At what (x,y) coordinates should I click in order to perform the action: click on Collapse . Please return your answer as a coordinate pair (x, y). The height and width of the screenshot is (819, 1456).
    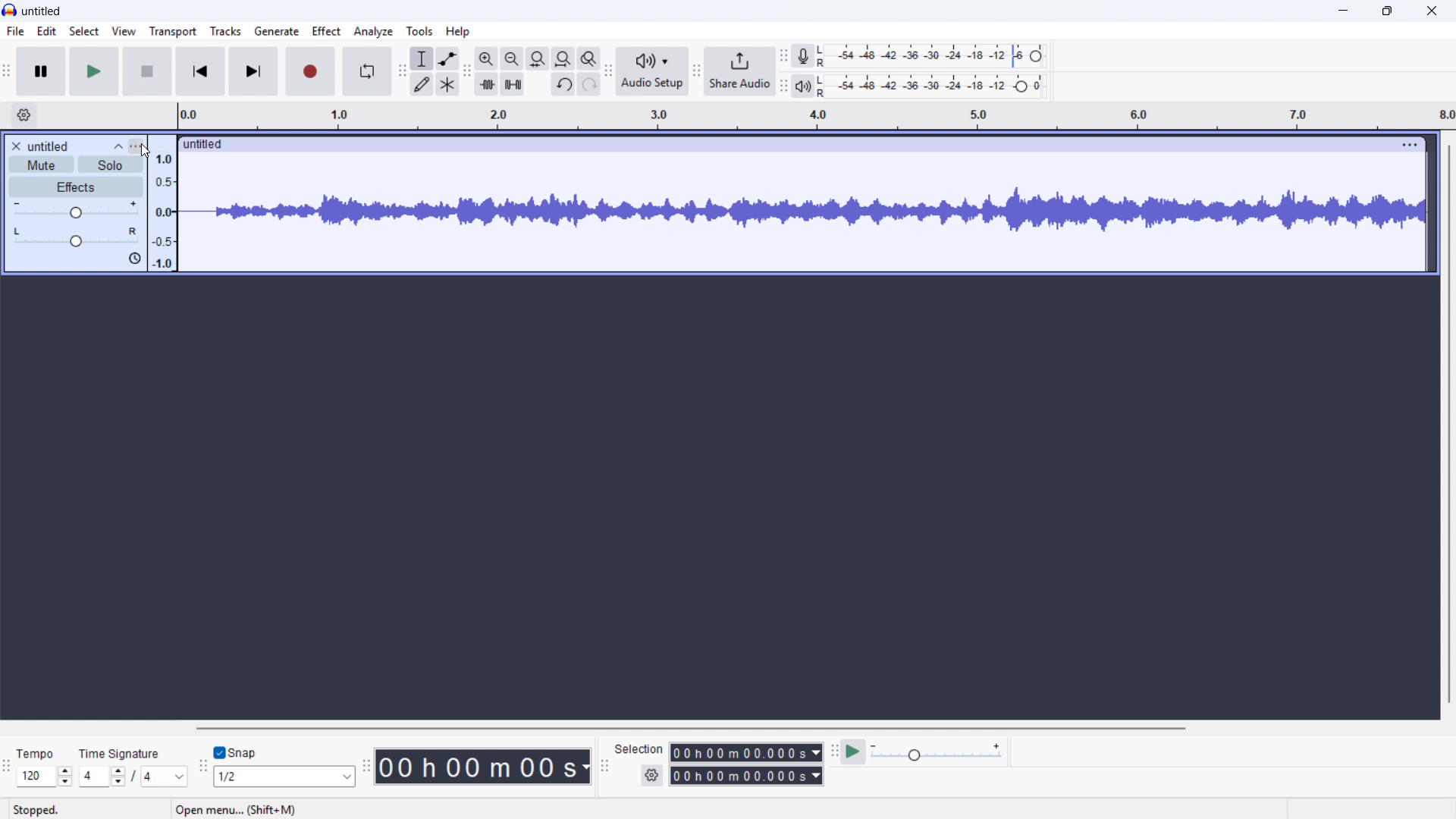
    Looking at the image, I should click on (117, 146).